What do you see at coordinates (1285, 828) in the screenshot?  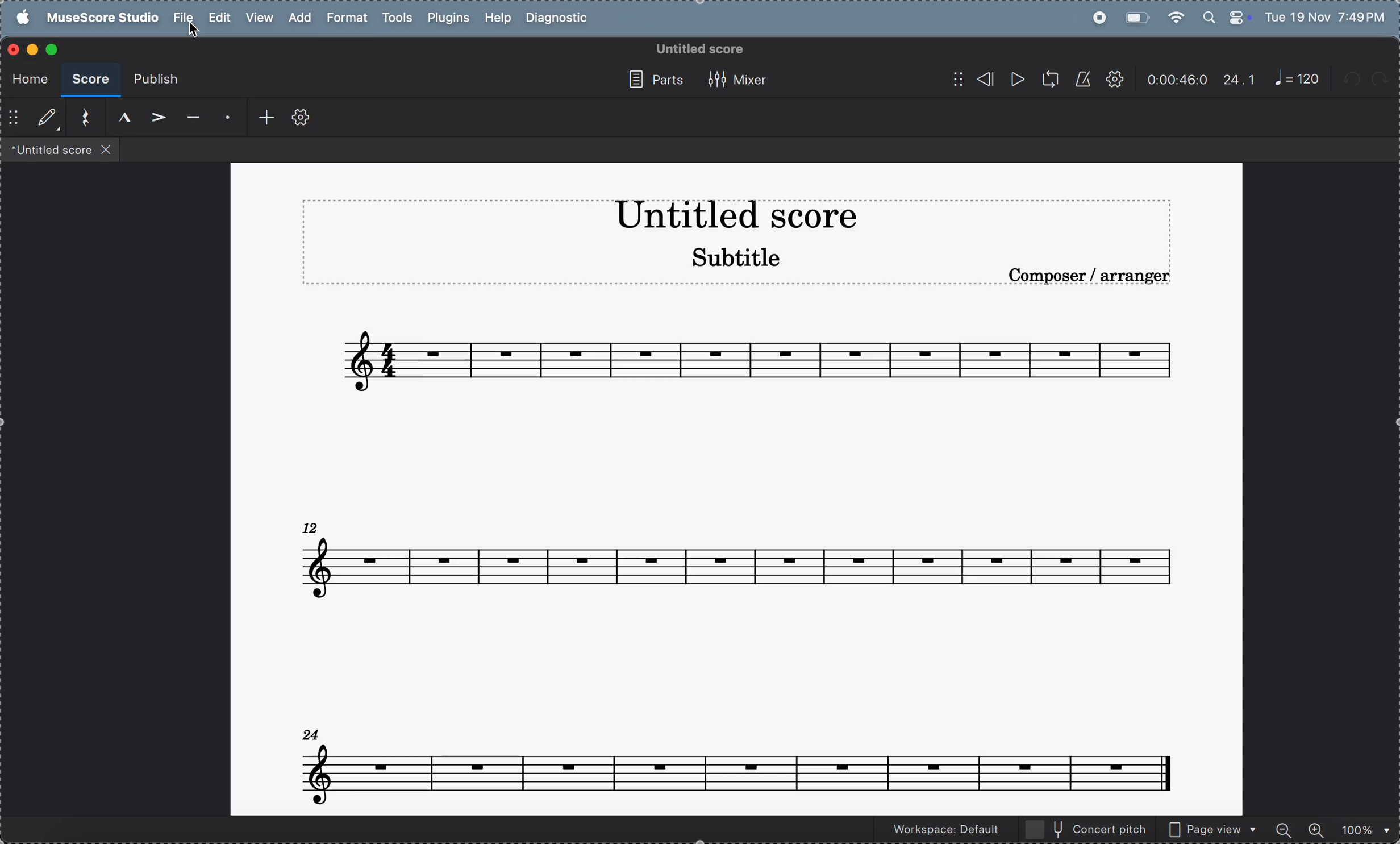 I see `zoom out` at bounding box center [1285, 828].